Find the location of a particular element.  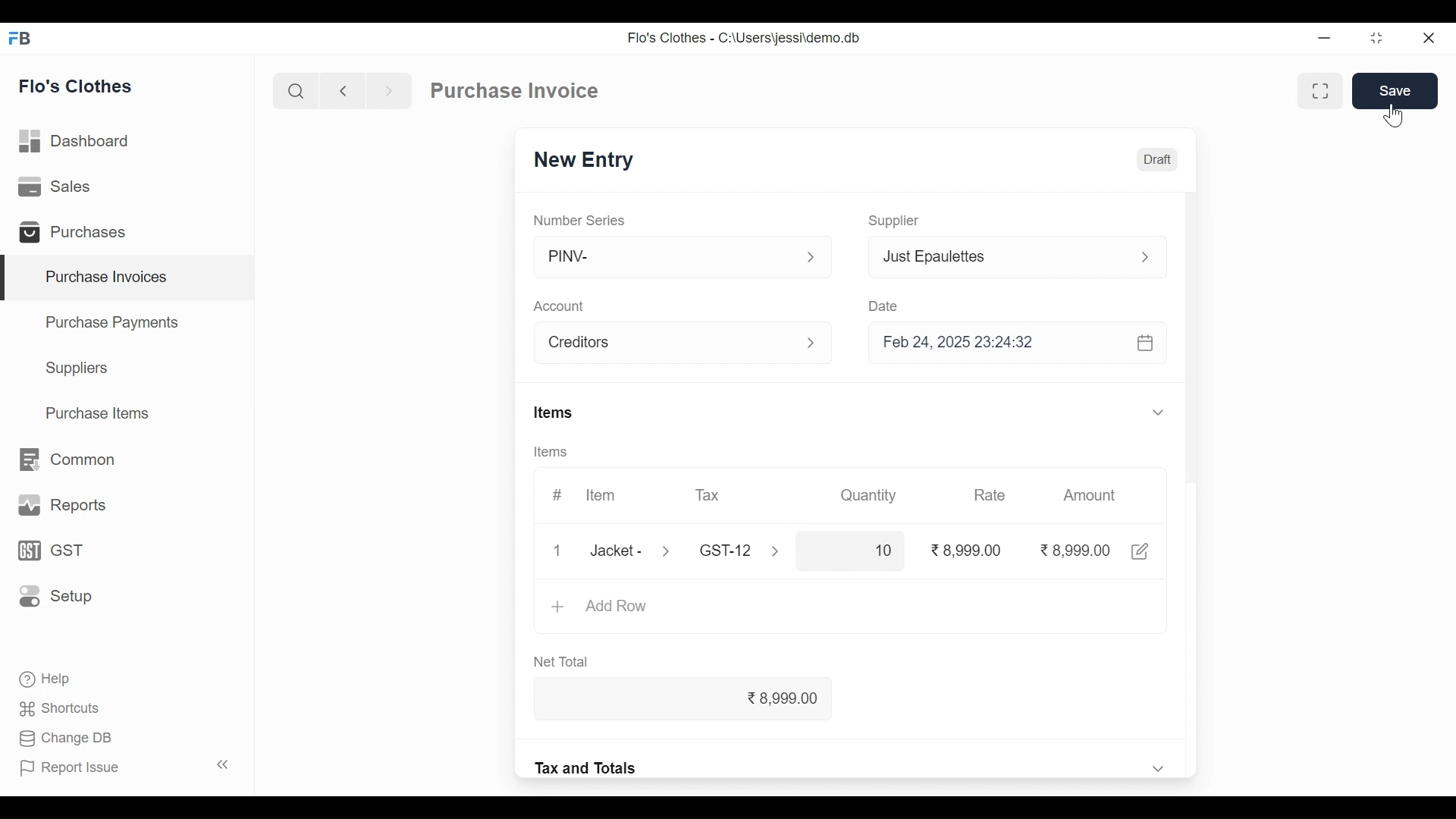

Report Issue is located at coordinates (126, 766).